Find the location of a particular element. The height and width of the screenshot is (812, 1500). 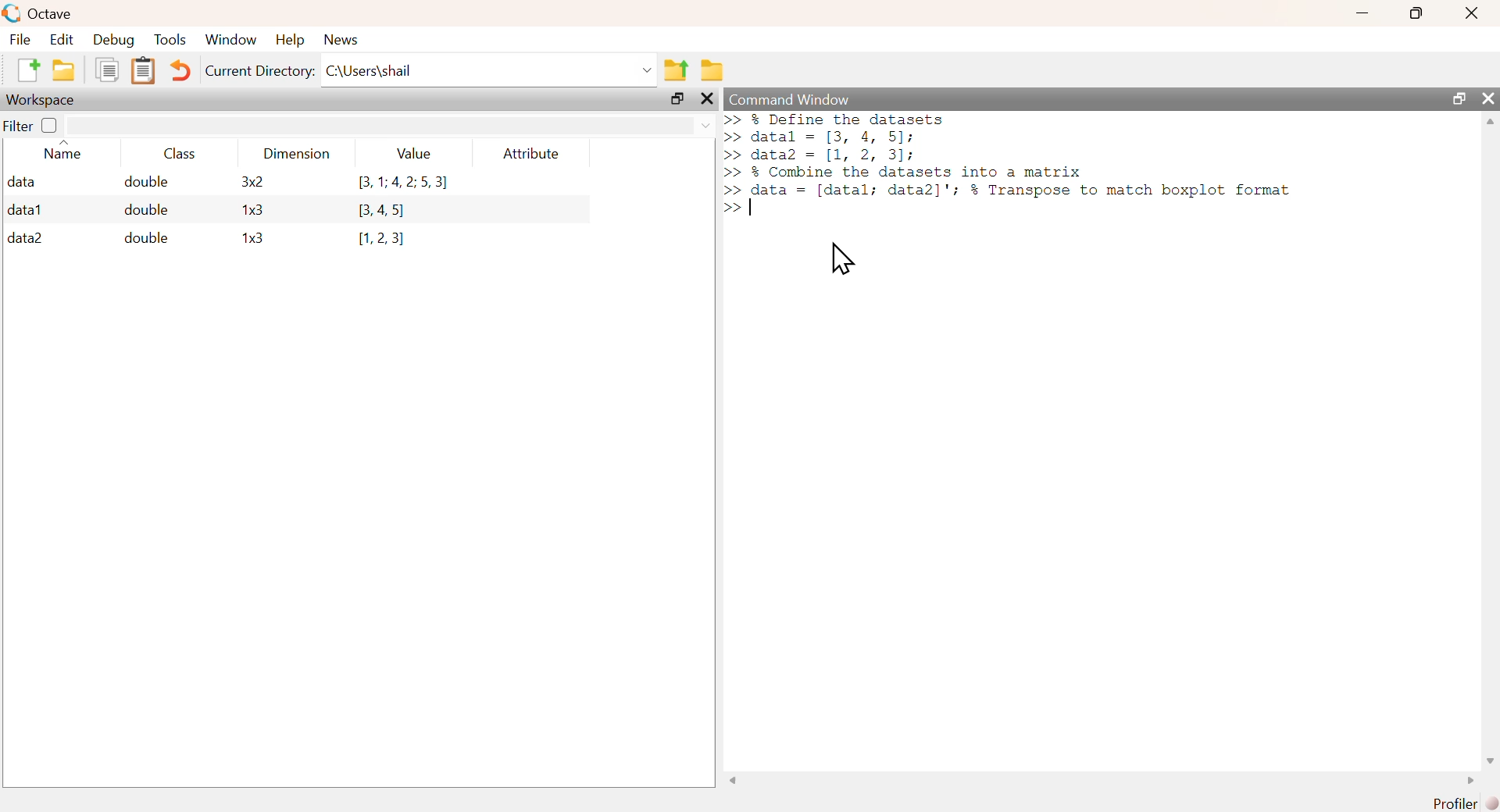

New Folder is located at coordinates (63, 70).